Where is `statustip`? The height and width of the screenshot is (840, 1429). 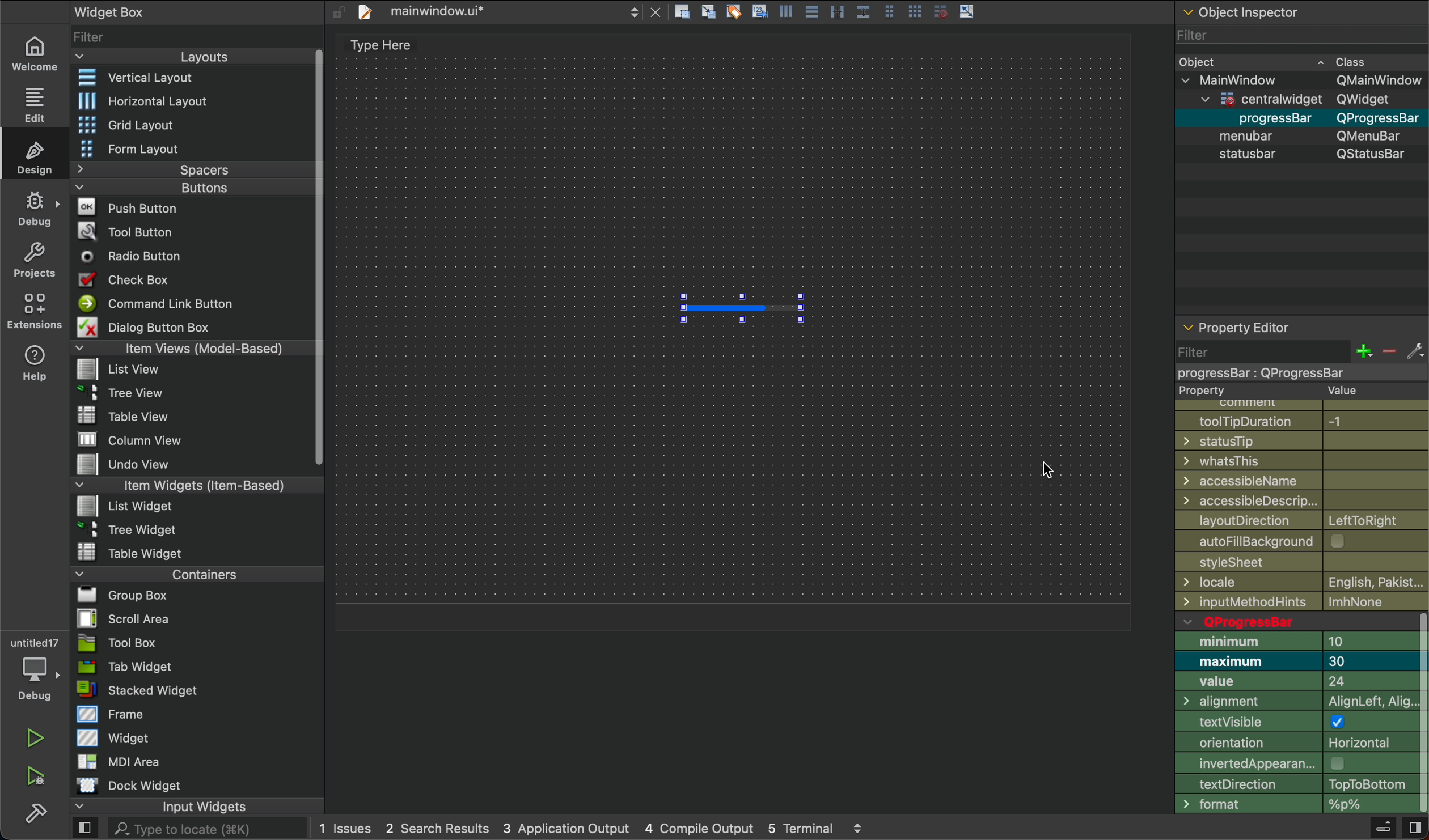 statustip is located at coordinates (1303, 441).